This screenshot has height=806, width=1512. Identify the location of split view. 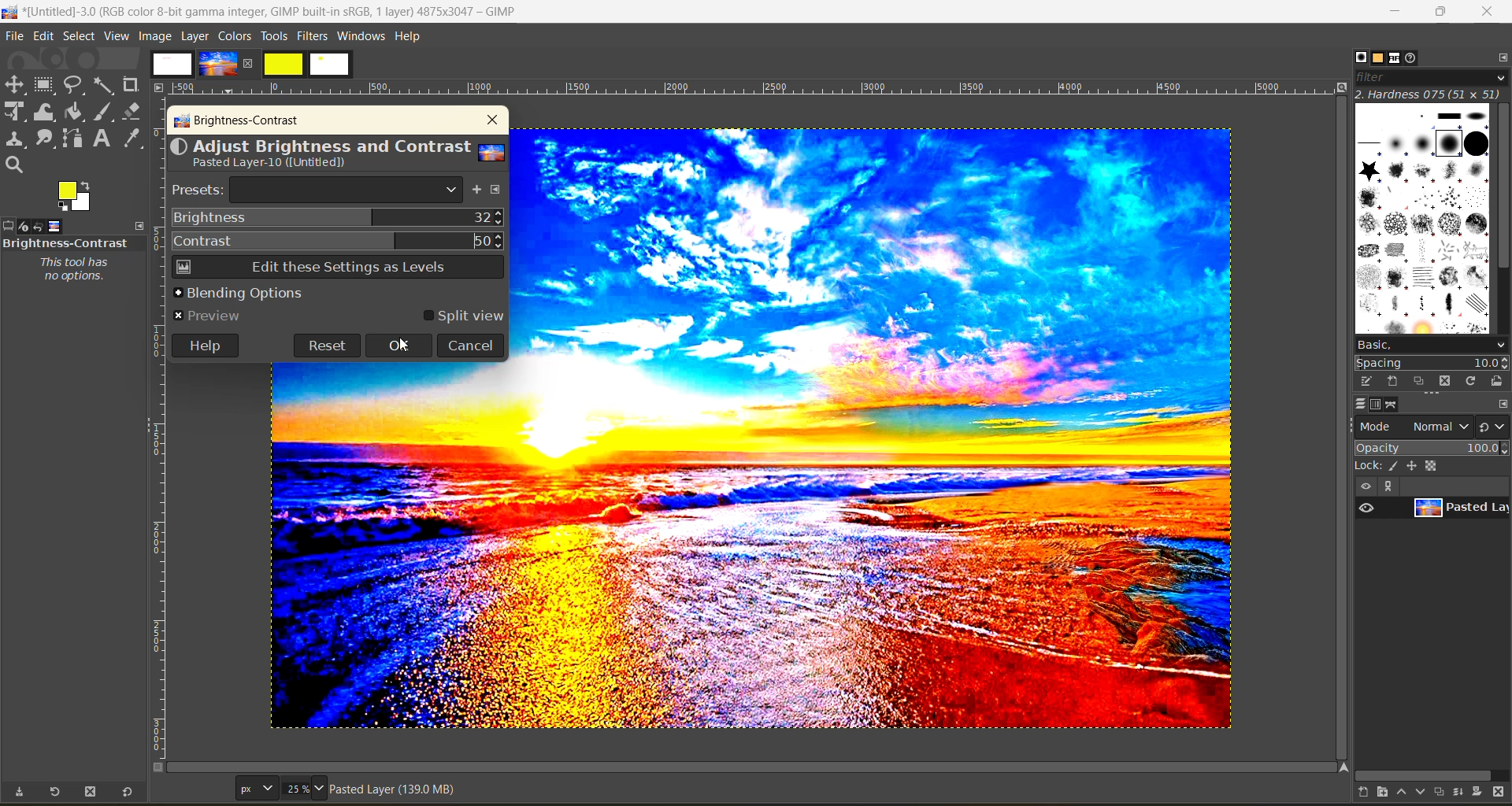
(463, 316).